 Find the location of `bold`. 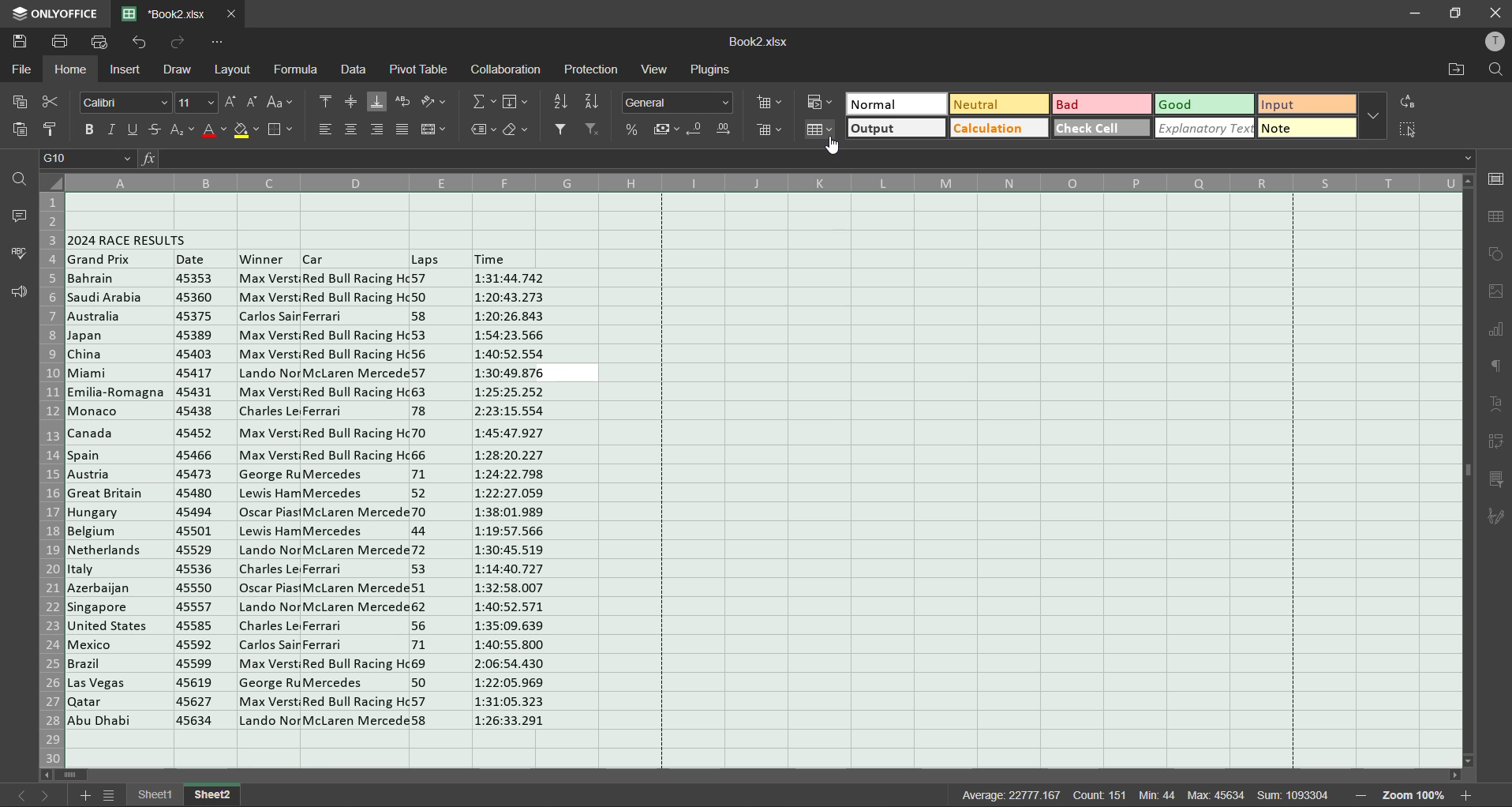

bold is located at coordinates (91, 129).